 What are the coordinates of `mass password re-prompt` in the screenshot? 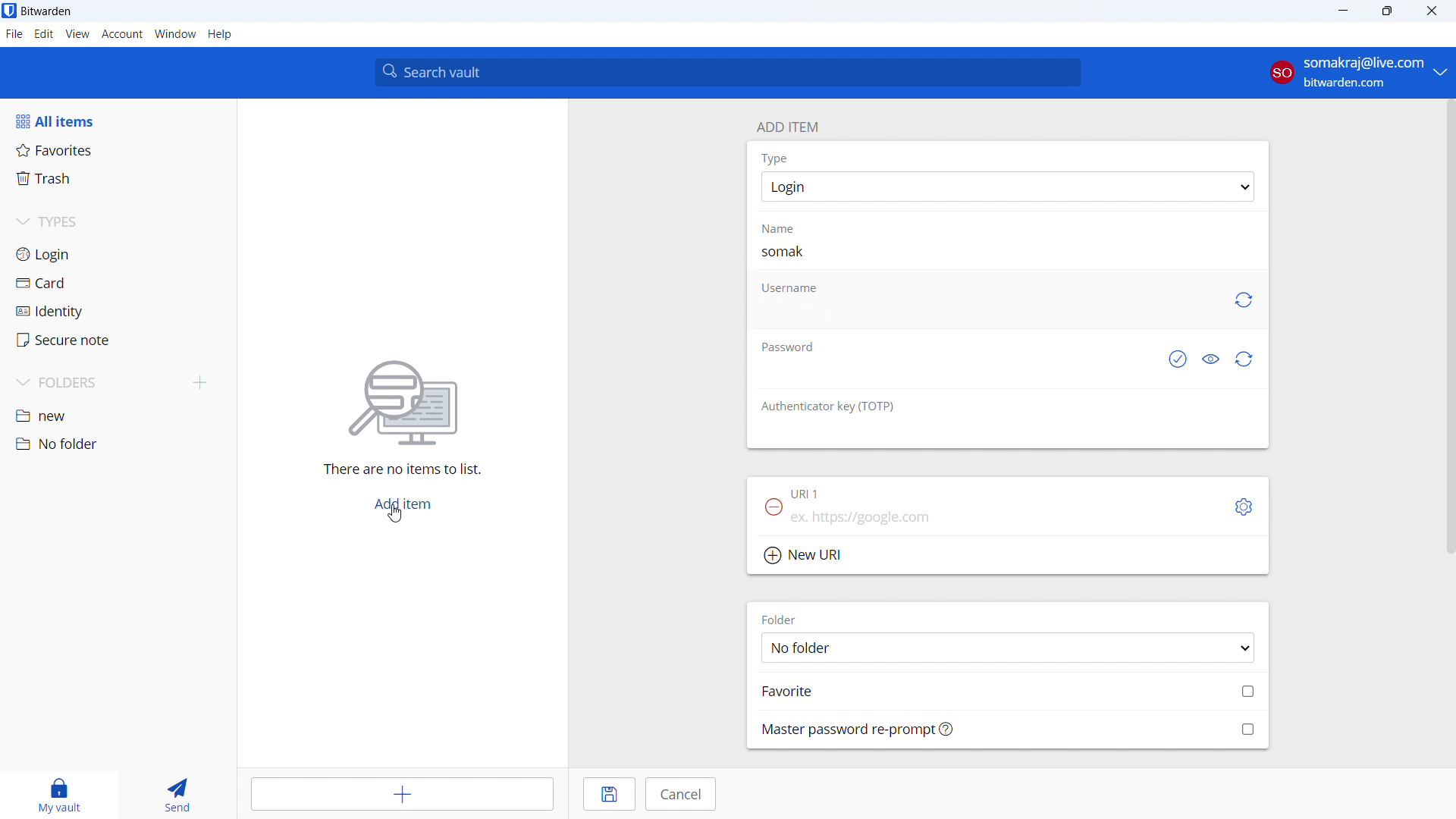 It's located at (1009, 729).